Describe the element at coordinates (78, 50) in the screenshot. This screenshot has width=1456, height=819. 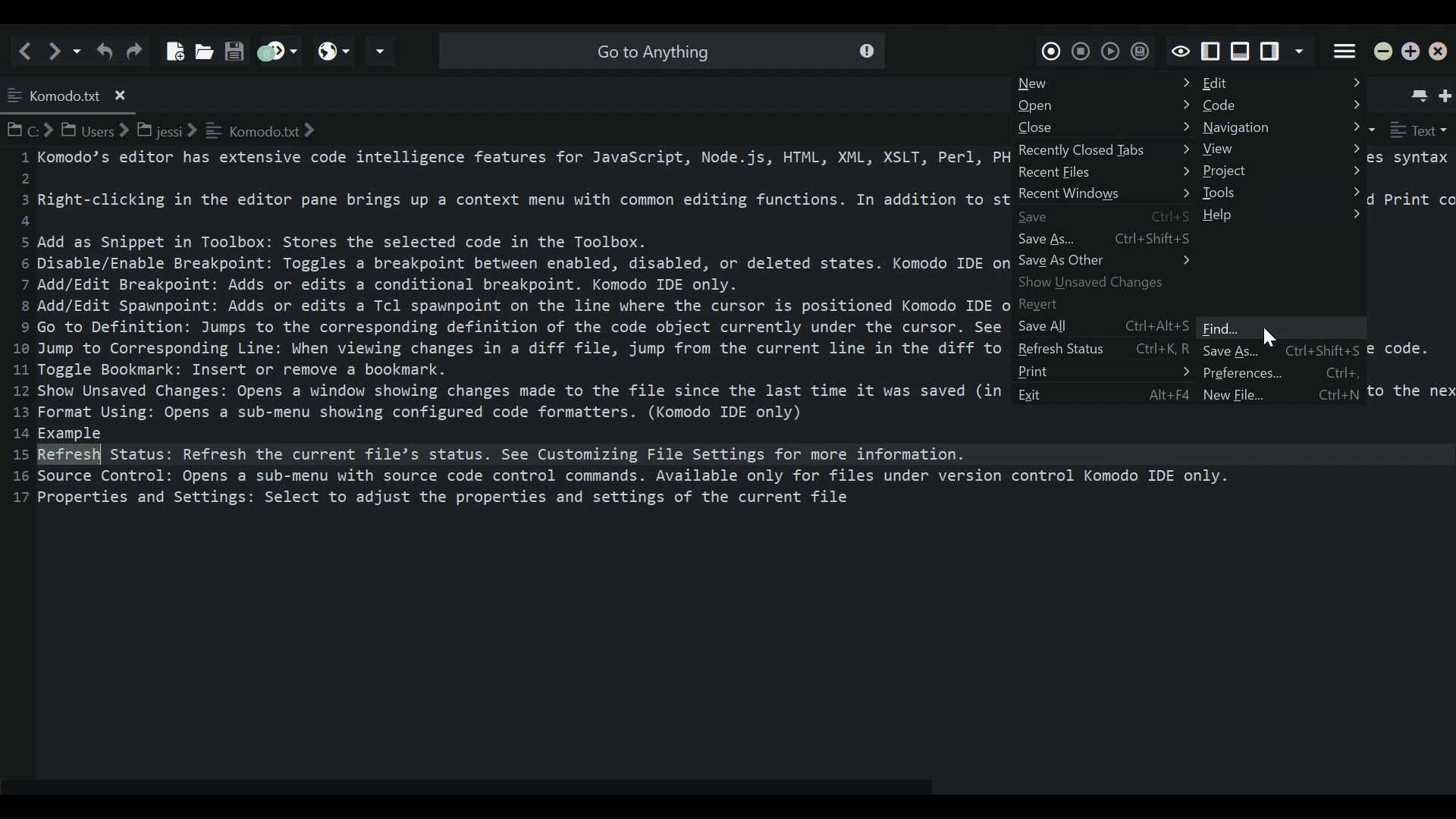
I see `Recent locations` at that location.